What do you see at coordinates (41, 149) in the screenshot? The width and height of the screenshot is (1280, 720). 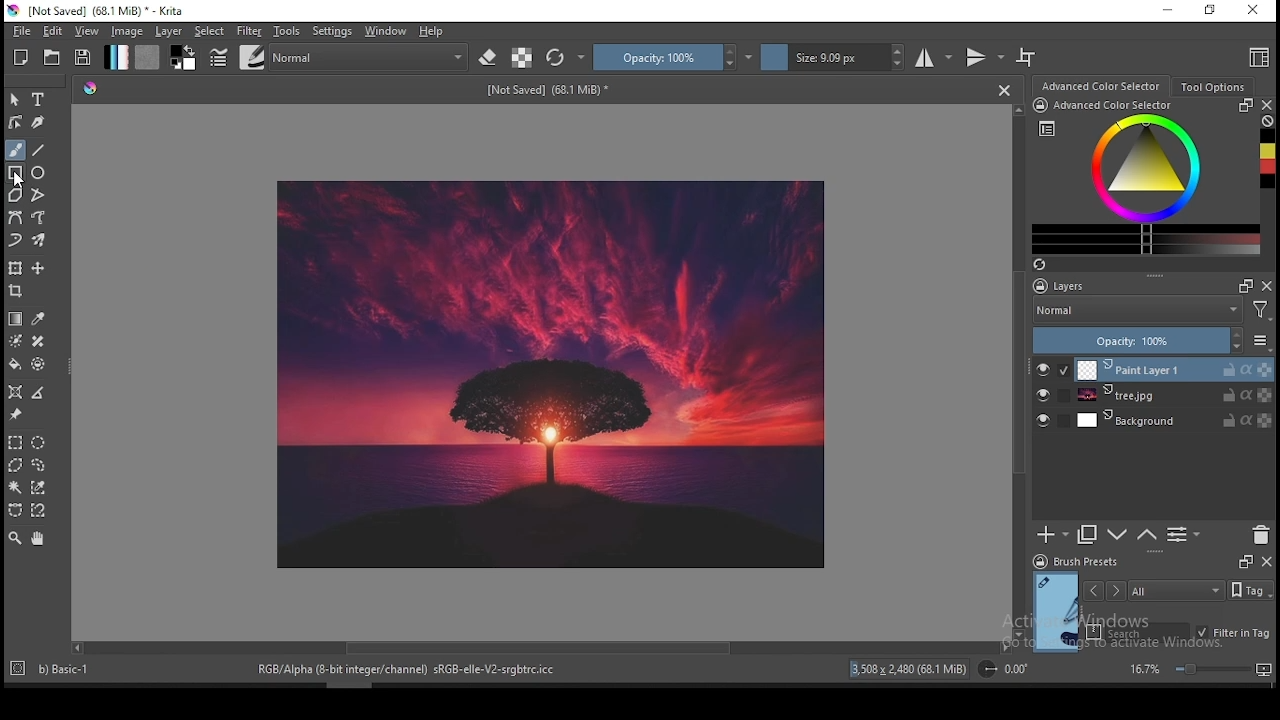 I see `line tool` at bounding box center [41, 149].